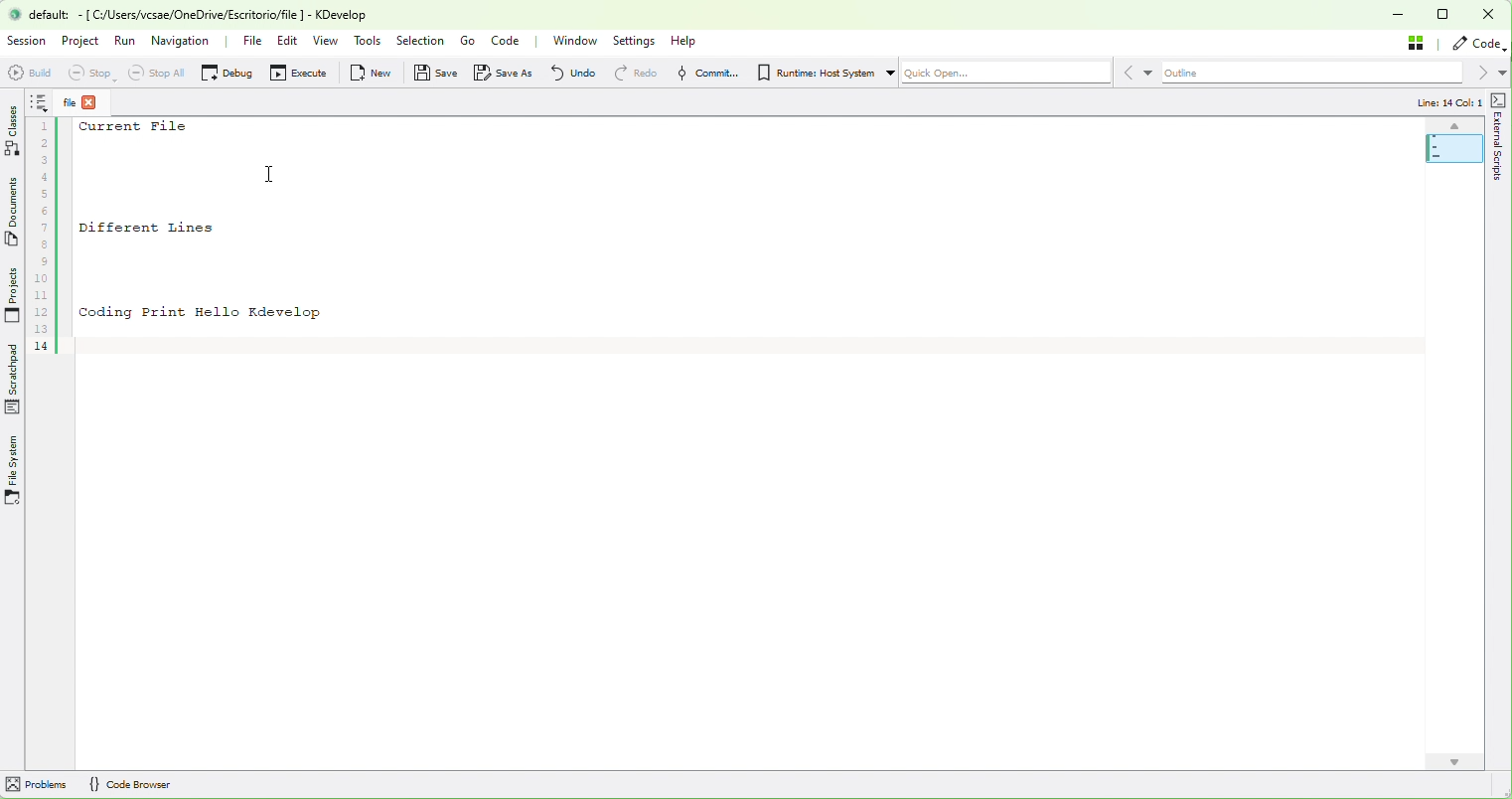 This screenshot has height=799, width=1512. Describe the element at coordinates (328, 41) in the screenshot. I see `View` at that location.